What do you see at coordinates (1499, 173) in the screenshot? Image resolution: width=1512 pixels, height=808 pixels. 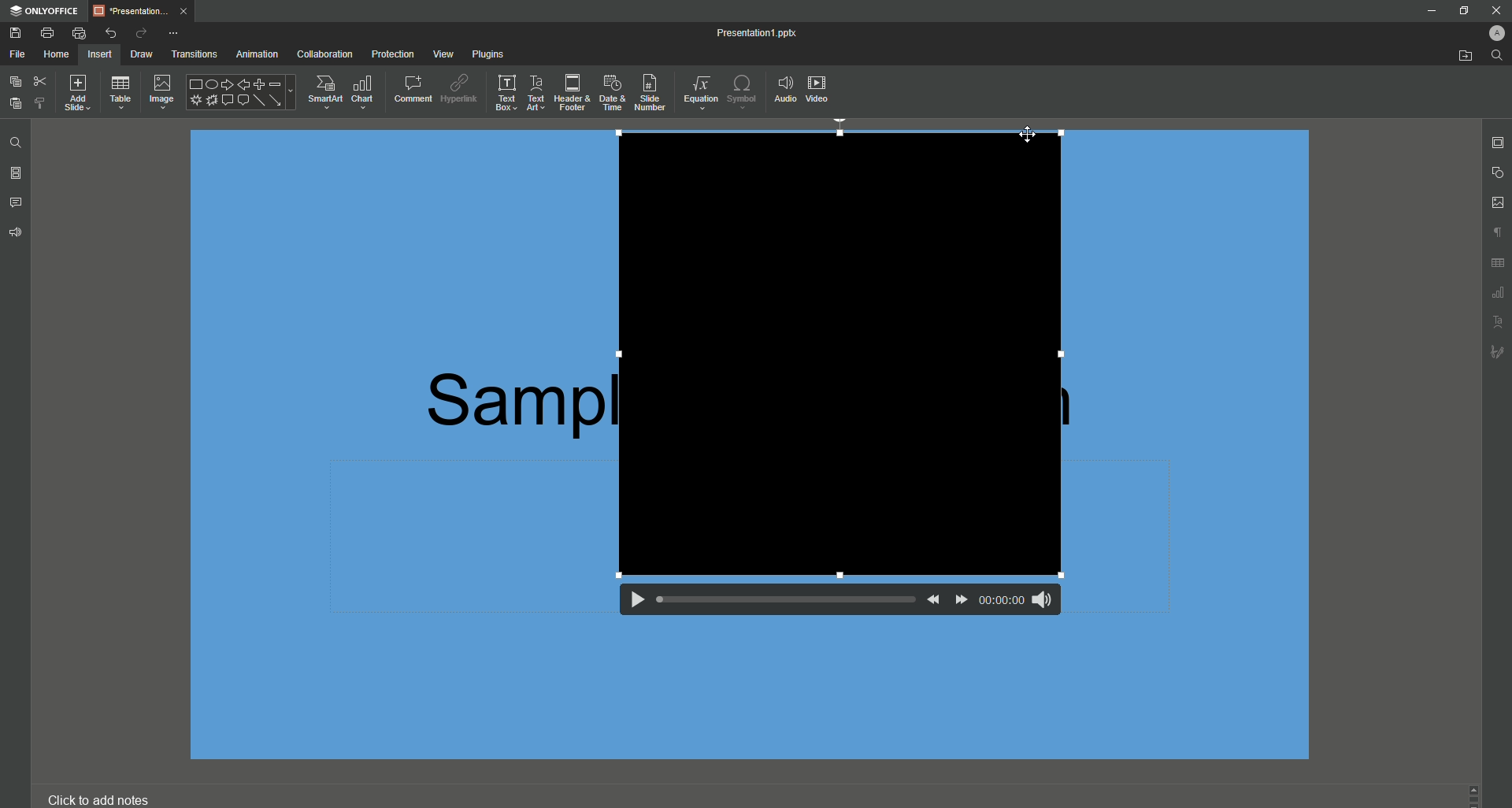 I see `Shape Settings` at bounding box center [1499, 173].